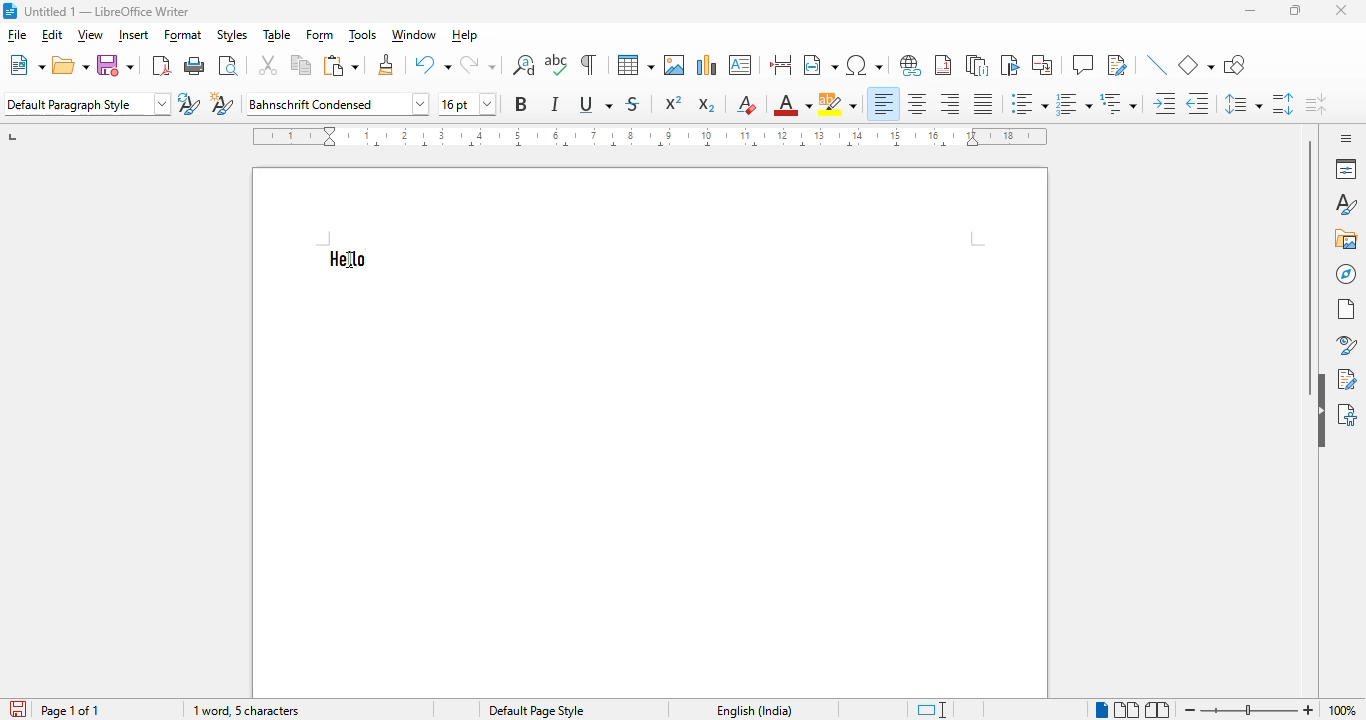 The height and width of the screenshot is (720, 1366). I want to click on new style from selection, so click(224, 105).